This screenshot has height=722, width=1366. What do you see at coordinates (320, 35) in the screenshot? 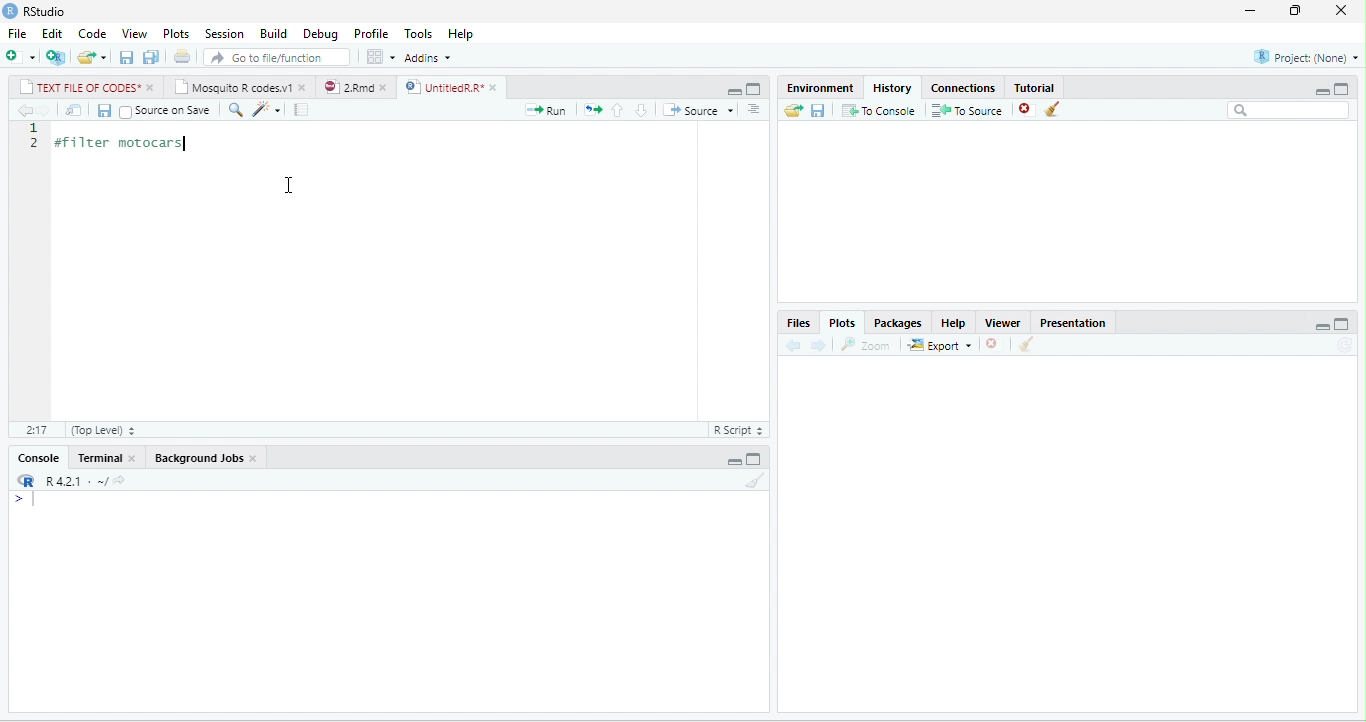
I see `Debug` at bounding box center [320, 35].